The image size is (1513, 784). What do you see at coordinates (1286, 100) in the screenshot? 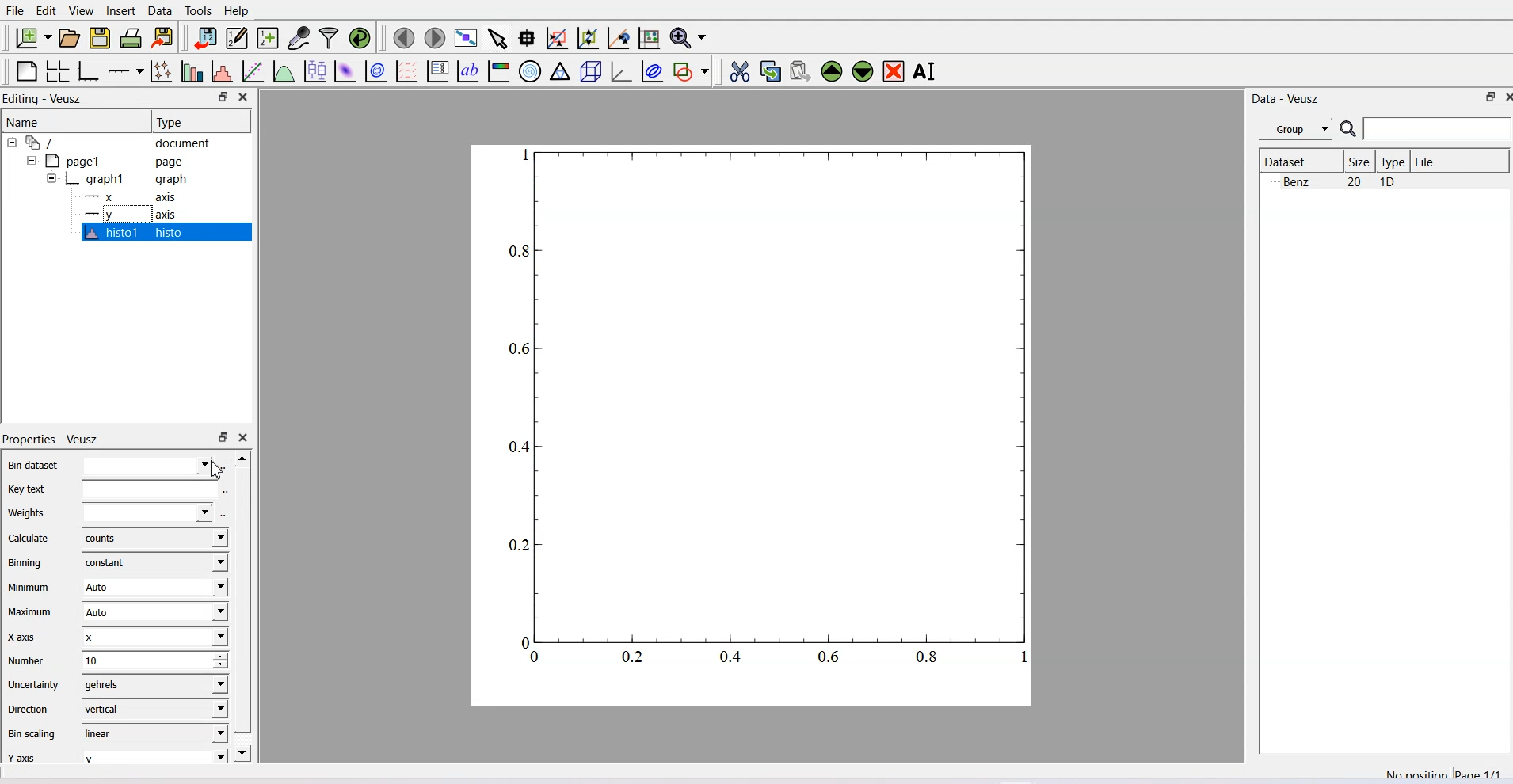
I see `Data - Veusz` at bounding box center [1286, 100].